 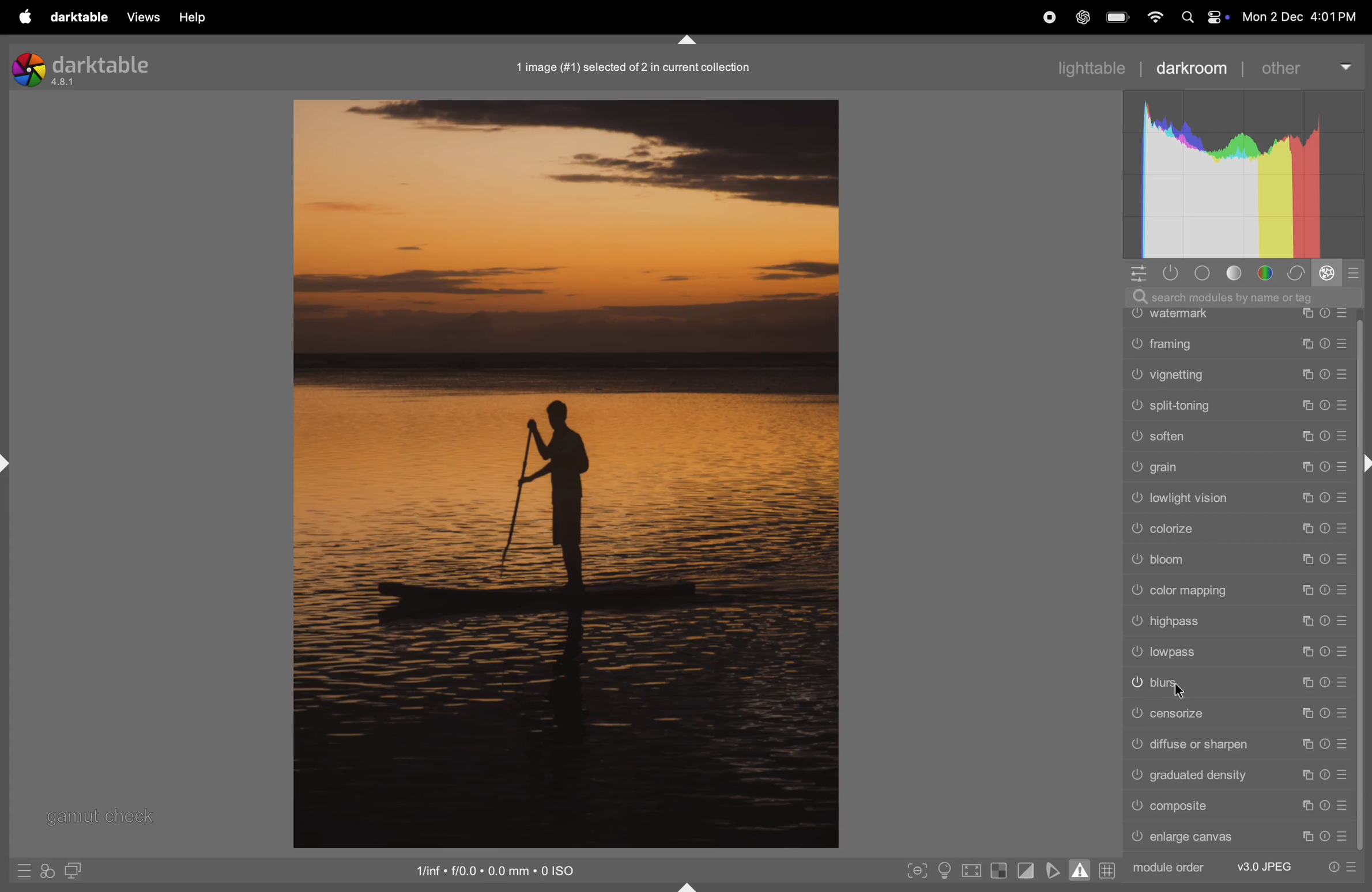 What do you see at coordinates (1170, 273) in the screenshot?
I see `show only active modules` at bounding box center [1170, 273].